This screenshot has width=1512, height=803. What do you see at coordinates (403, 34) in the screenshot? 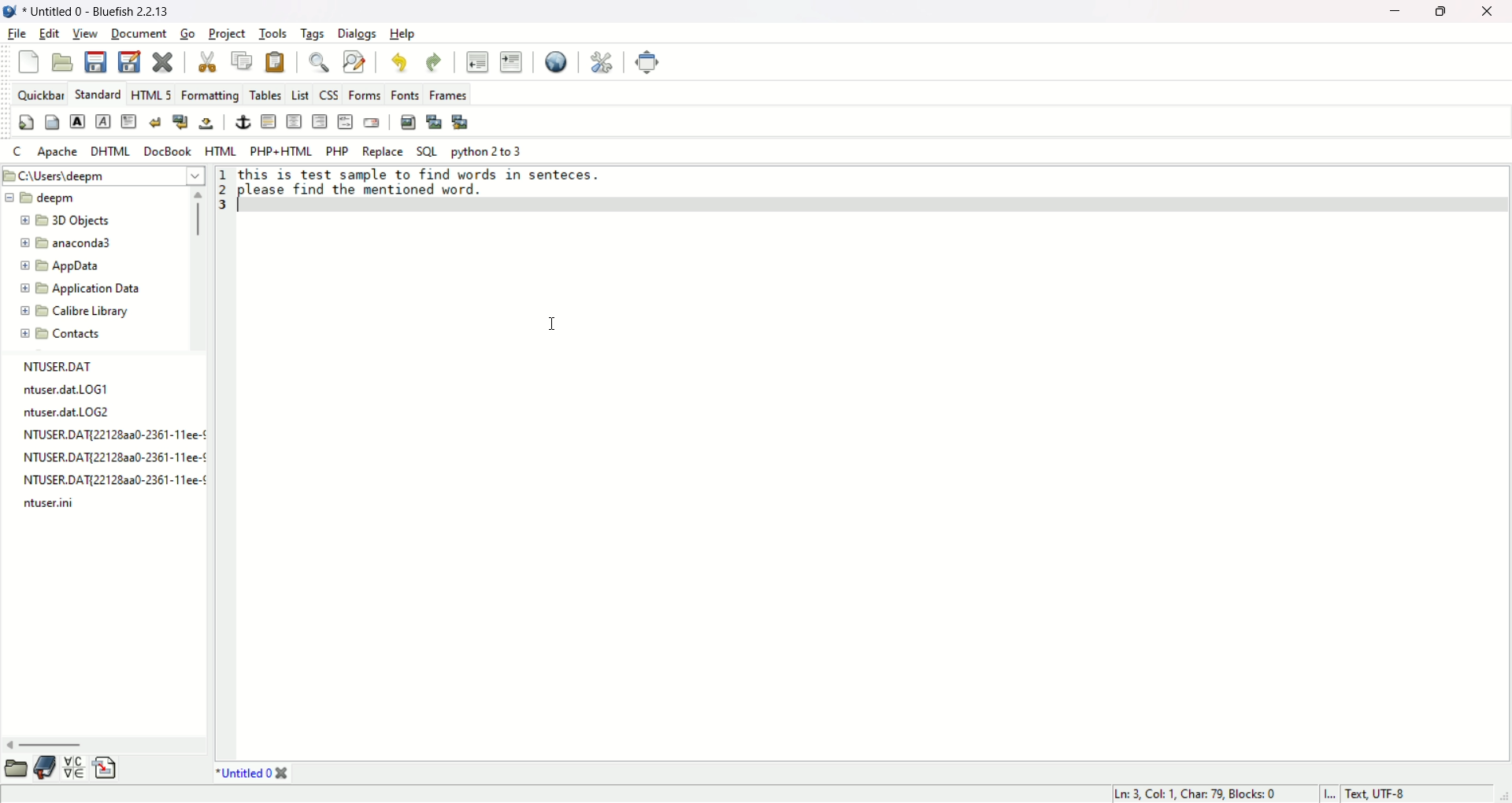
I see `help` at bounding box center [403, 34].